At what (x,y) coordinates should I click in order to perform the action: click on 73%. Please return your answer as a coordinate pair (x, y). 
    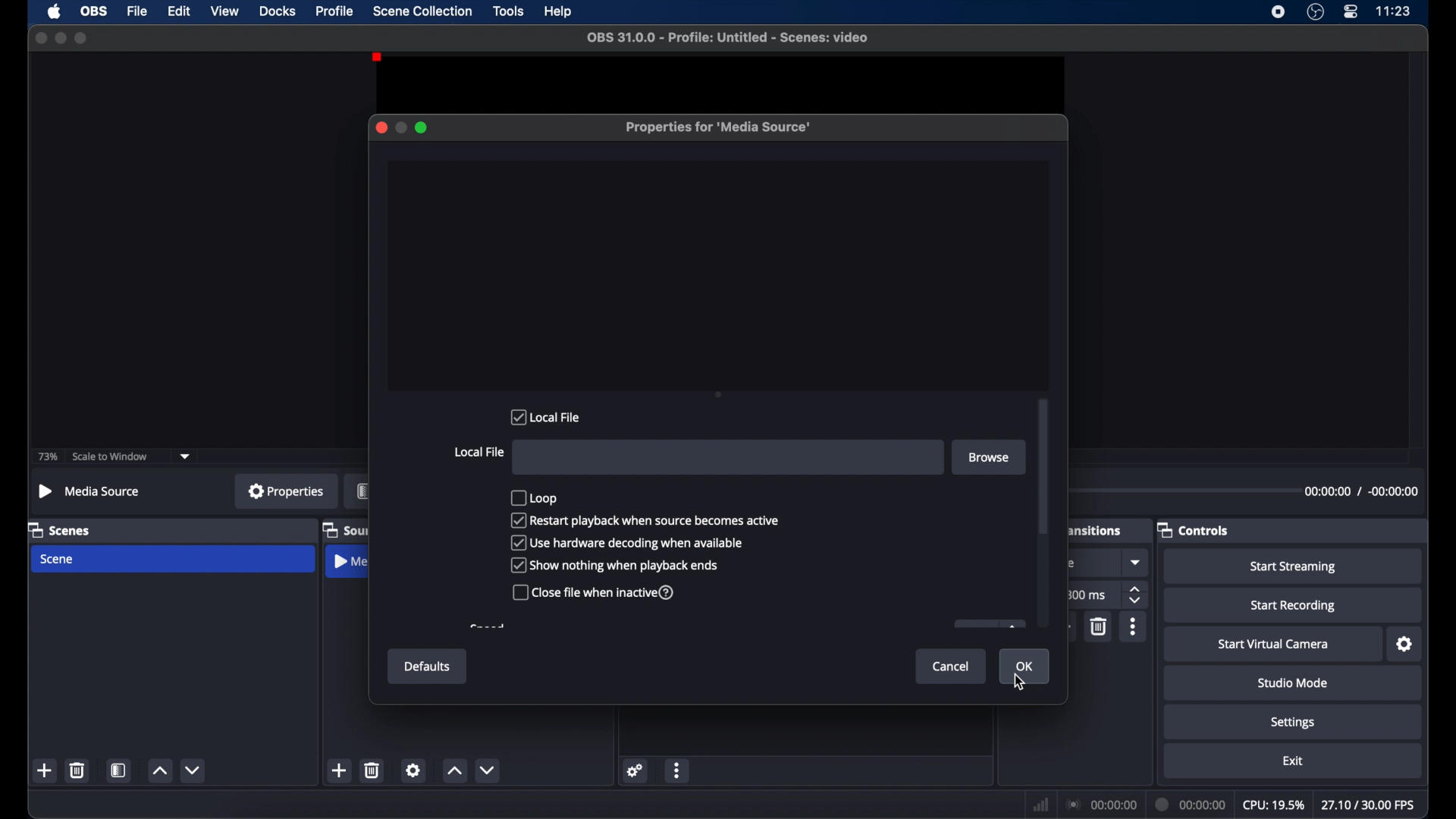
    Looking at the image, I should click on (47, 457).